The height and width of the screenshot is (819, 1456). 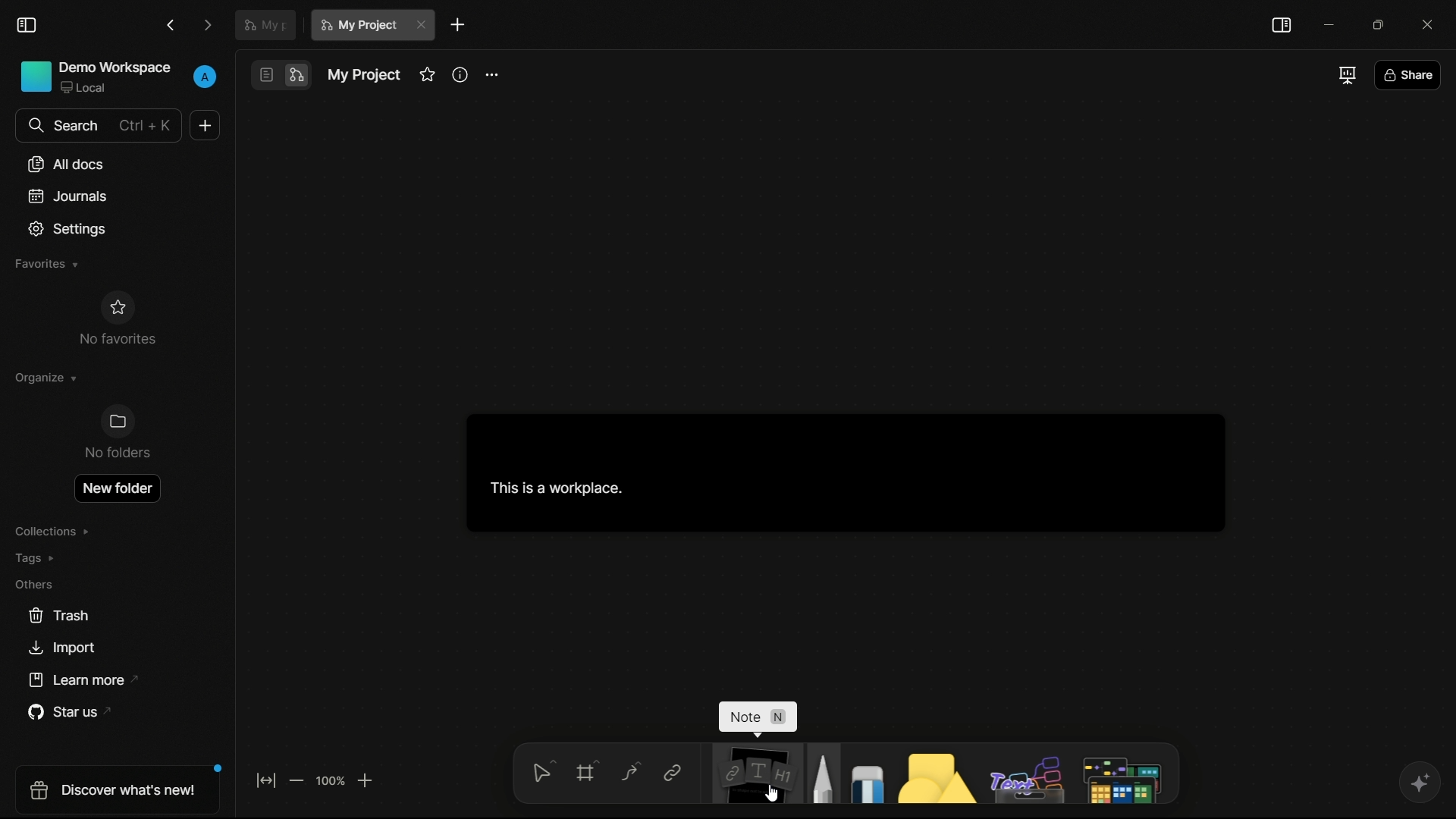 What do you see at coordinates (298, 780) in the screenshot?
I see `zoom out` at bounding box center [298, 780].